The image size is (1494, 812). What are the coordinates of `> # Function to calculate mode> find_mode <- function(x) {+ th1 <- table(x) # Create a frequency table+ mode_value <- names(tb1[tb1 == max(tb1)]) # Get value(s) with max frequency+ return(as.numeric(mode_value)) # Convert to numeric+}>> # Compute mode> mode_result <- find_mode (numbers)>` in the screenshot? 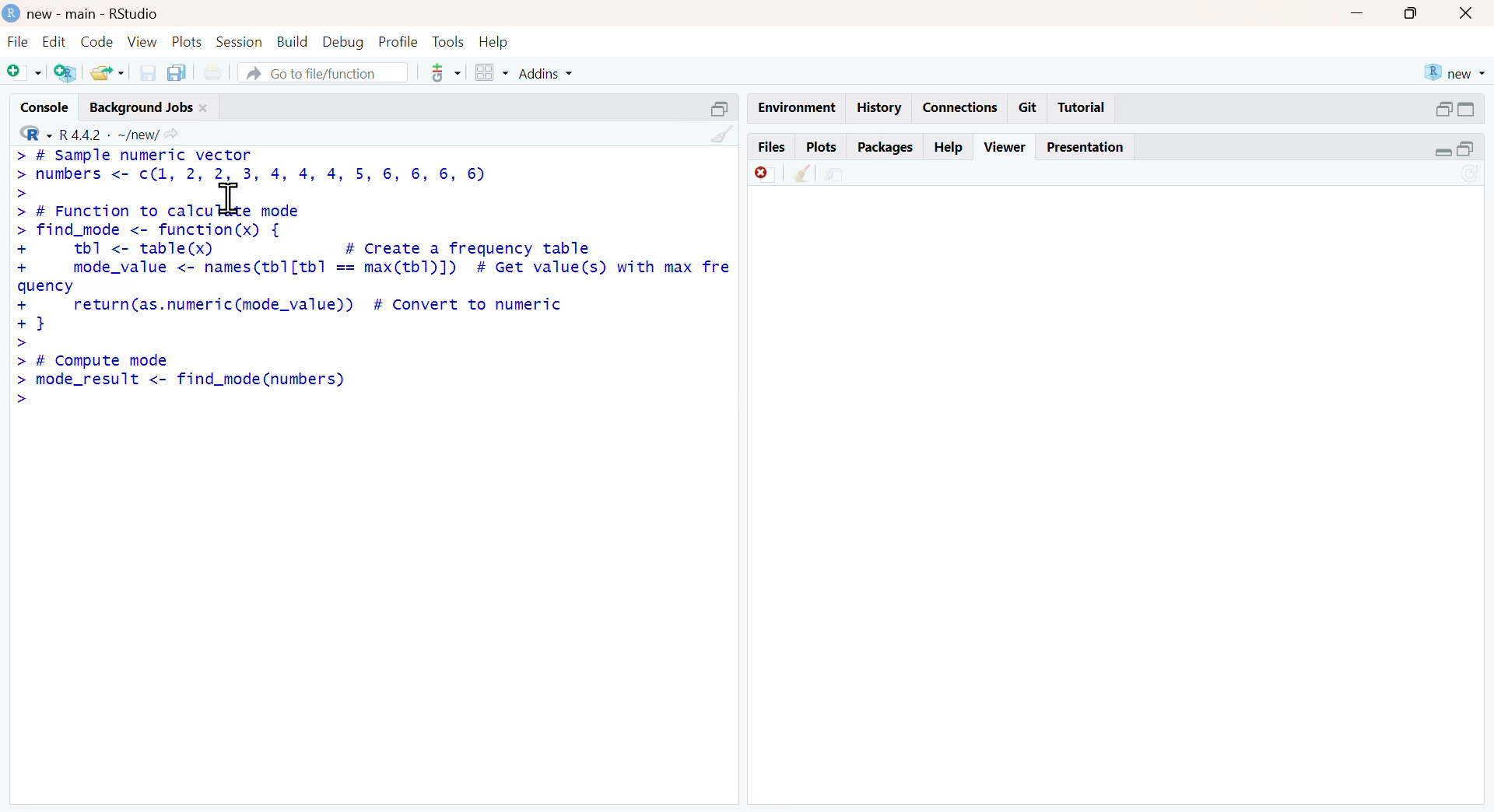 It's located at (372, 306).